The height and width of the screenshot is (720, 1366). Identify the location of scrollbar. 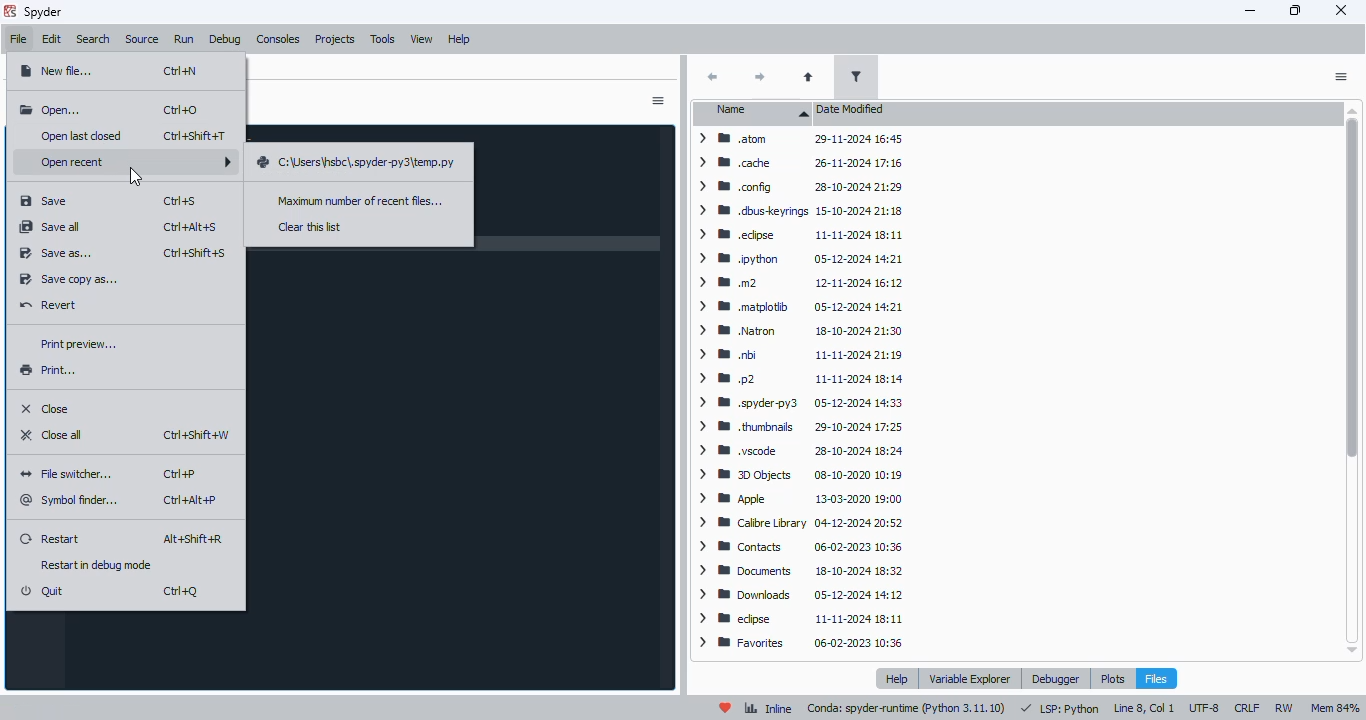
(1351, 380).